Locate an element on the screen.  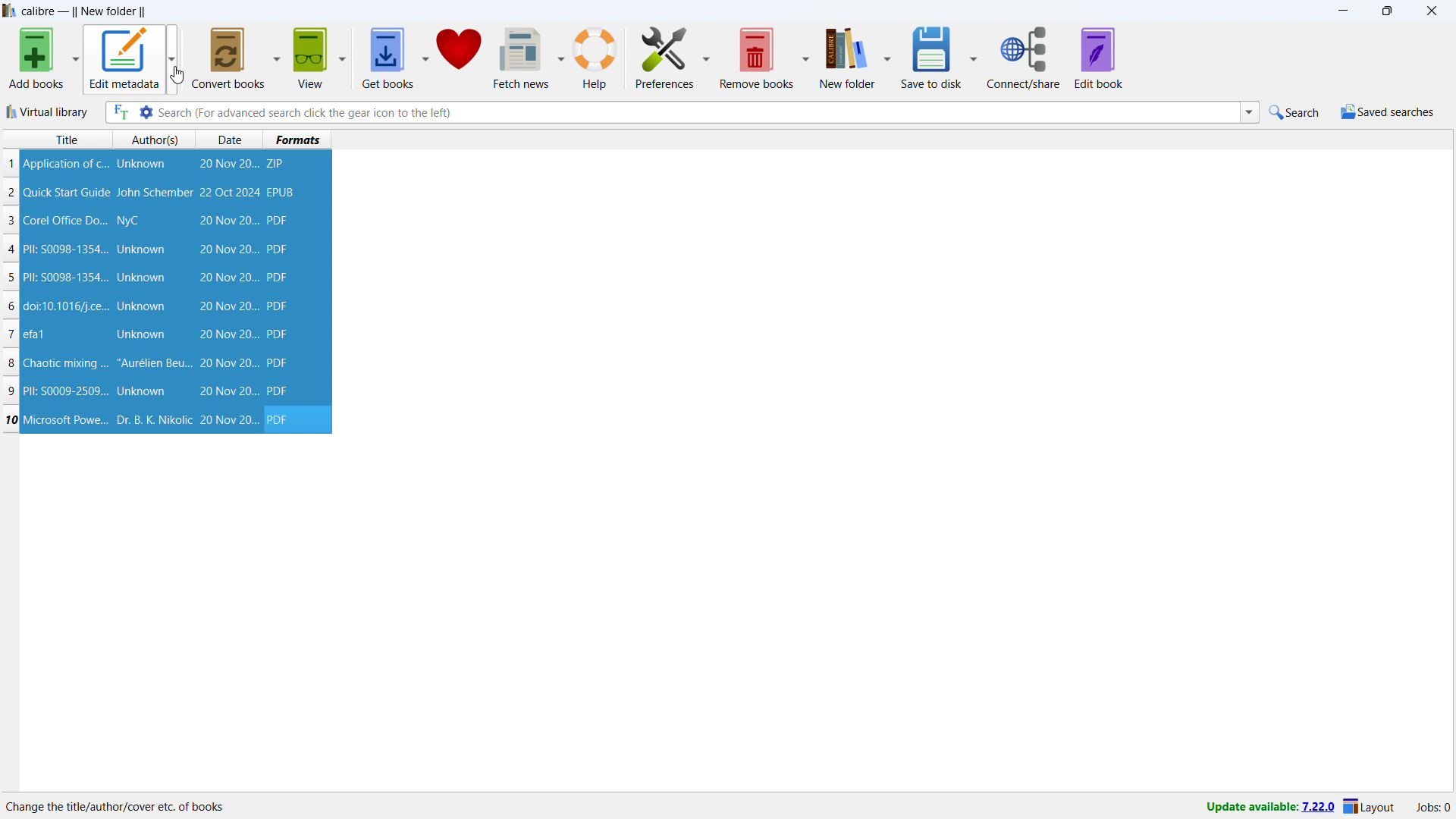
doi:10.1016/j.ce... is located at coordinates (68, 306).